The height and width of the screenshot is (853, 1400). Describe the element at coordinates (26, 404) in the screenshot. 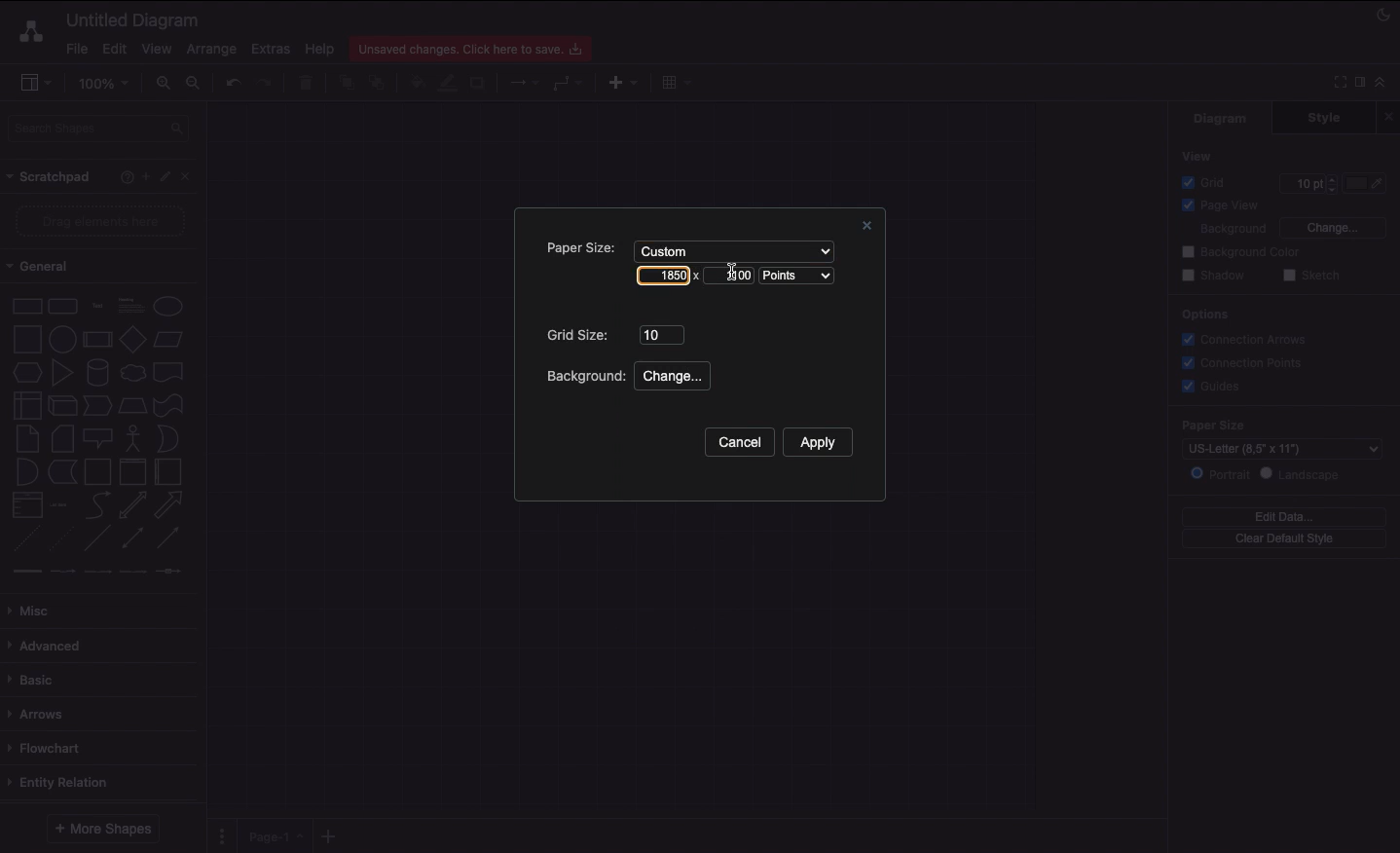

I see `Internal storage` at that location.